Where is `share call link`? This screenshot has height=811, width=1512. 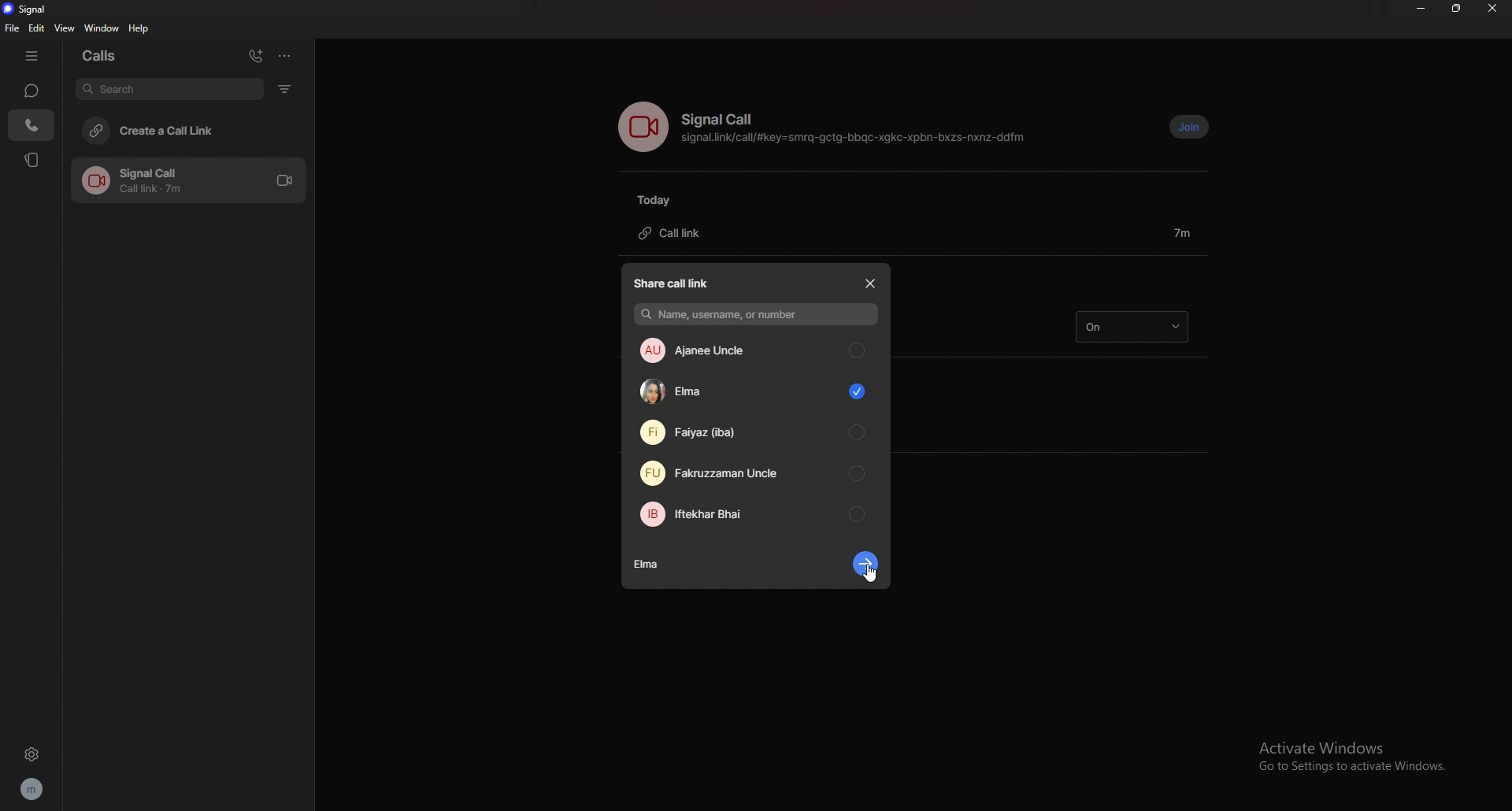
share call link is located at coordinates (676, 282).